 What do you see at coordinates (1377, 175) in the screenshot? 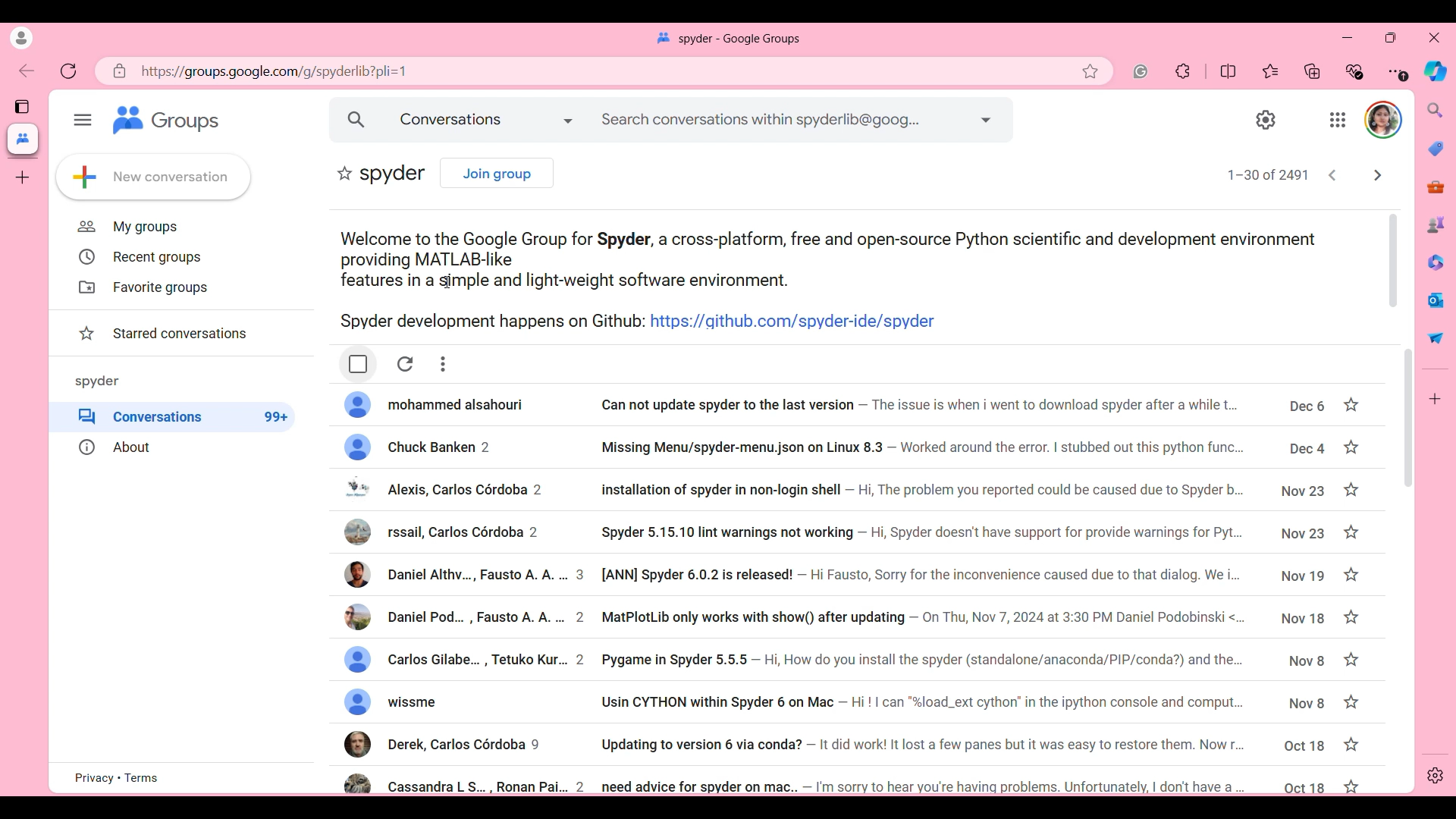
I see `Go back` at bounding box center [1377, 175].